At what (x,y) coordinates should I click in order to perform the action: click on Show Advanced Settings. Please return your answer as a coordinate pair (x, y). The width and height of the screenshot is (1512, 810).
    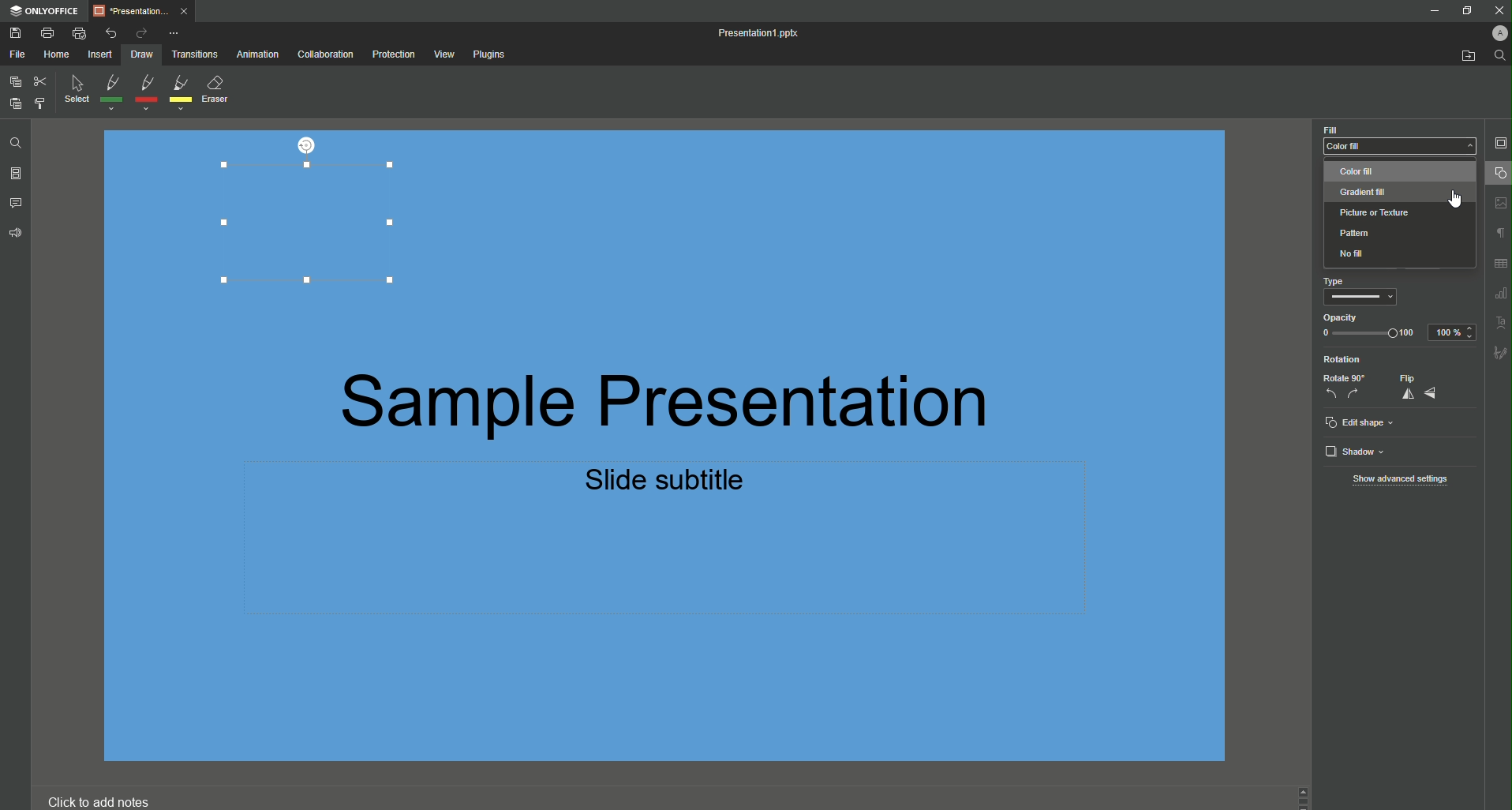
    Looking at the image, I should click on (1403, 481).